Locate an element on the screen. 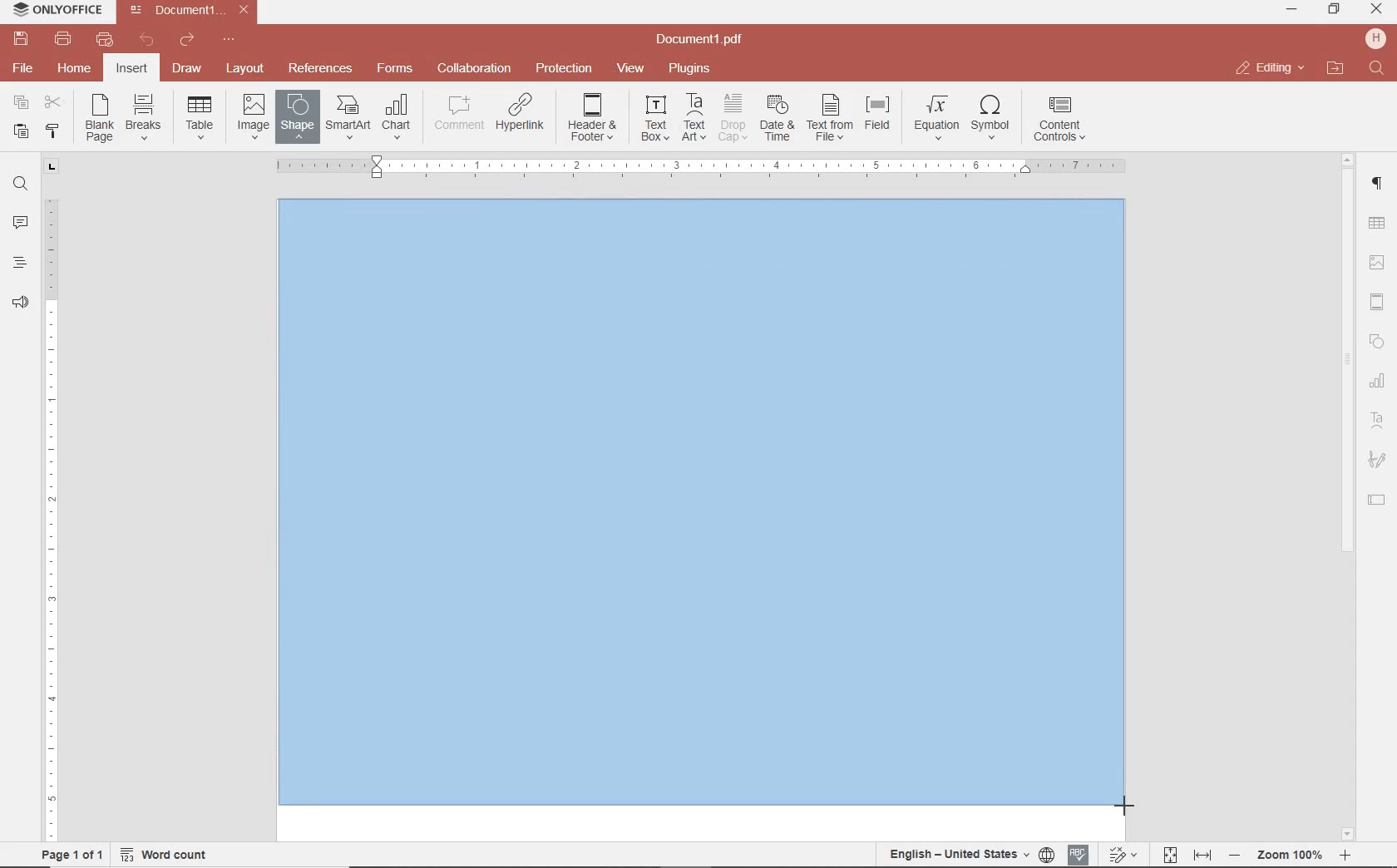 This screenshot has height=868, width=1397. open file location is located at coordinates (1335, 69).